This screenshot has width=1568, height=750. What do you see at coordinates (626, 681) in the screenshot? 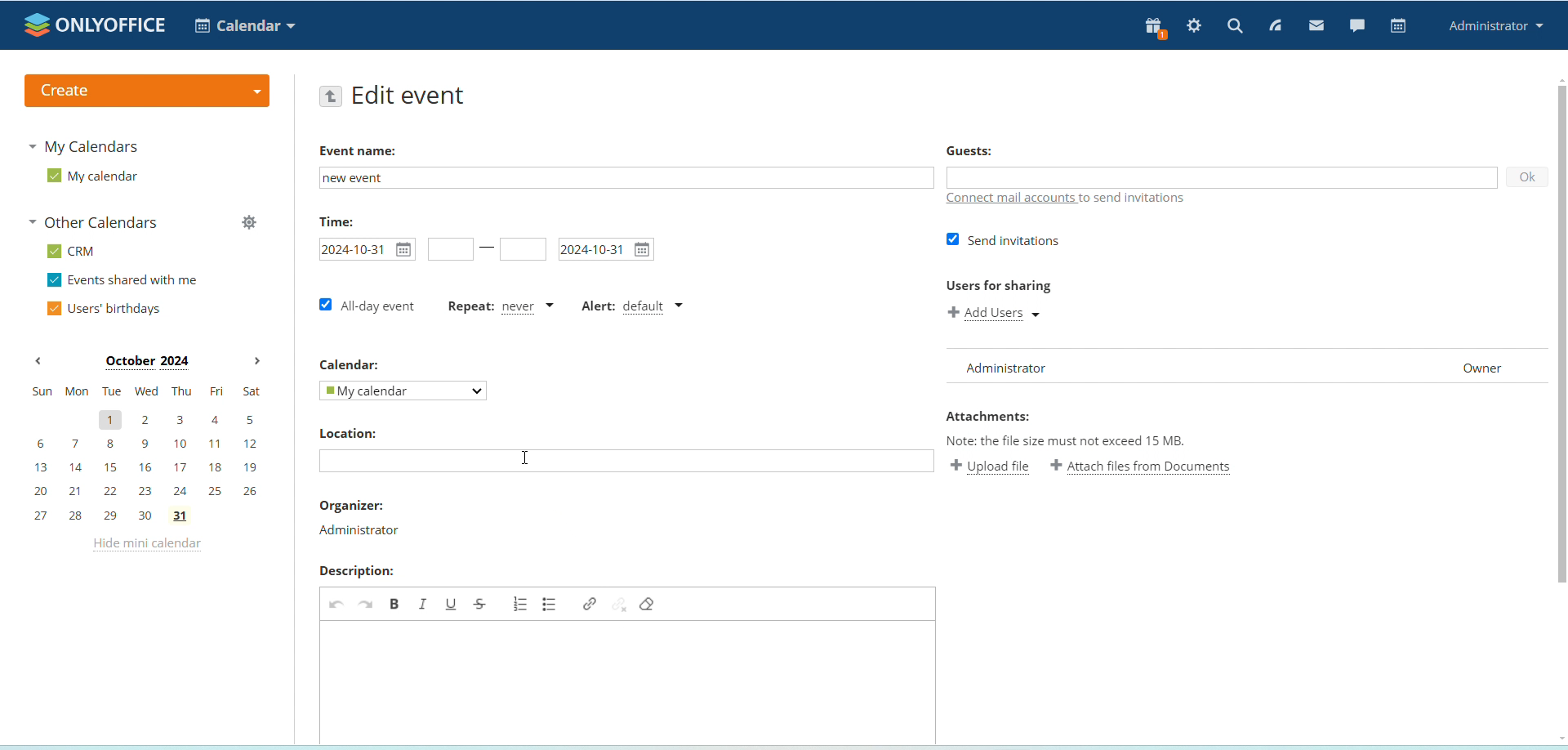
I see `edit event description` at bounding box center [626, 681].